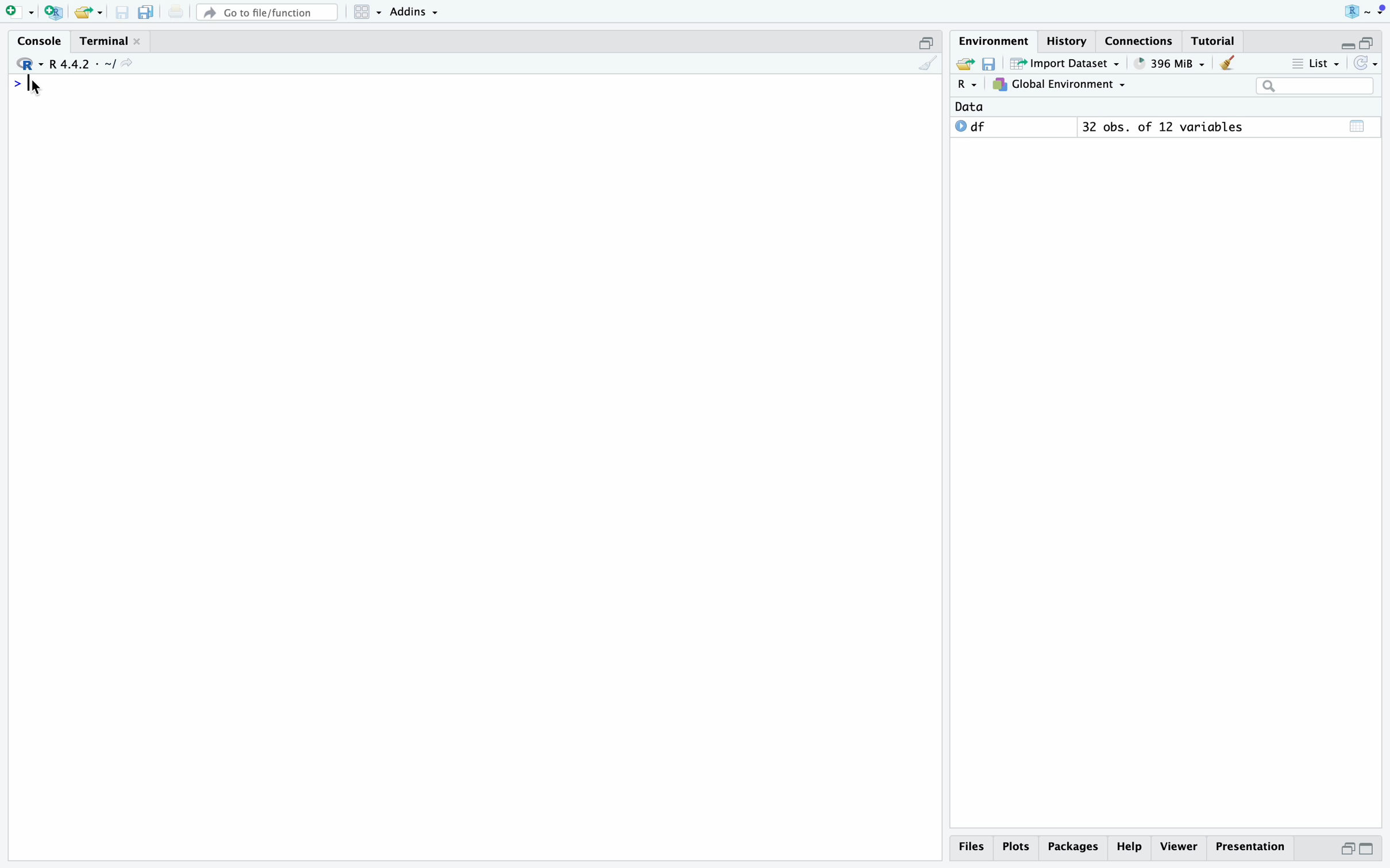  What do you see at coordinates (1347, 849) in the screenshot?
I see `open in separate window` at bounding box center [1347, 849].